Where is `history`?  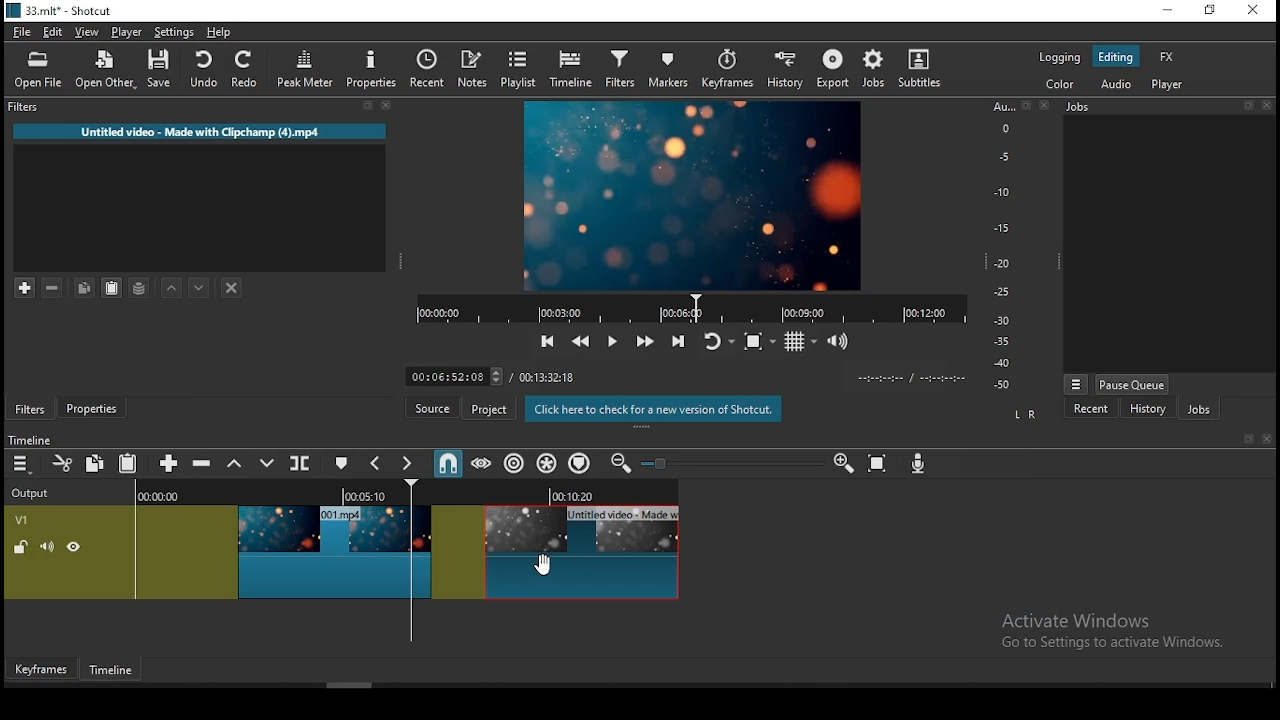 history is located at coordinates (1146, 408).